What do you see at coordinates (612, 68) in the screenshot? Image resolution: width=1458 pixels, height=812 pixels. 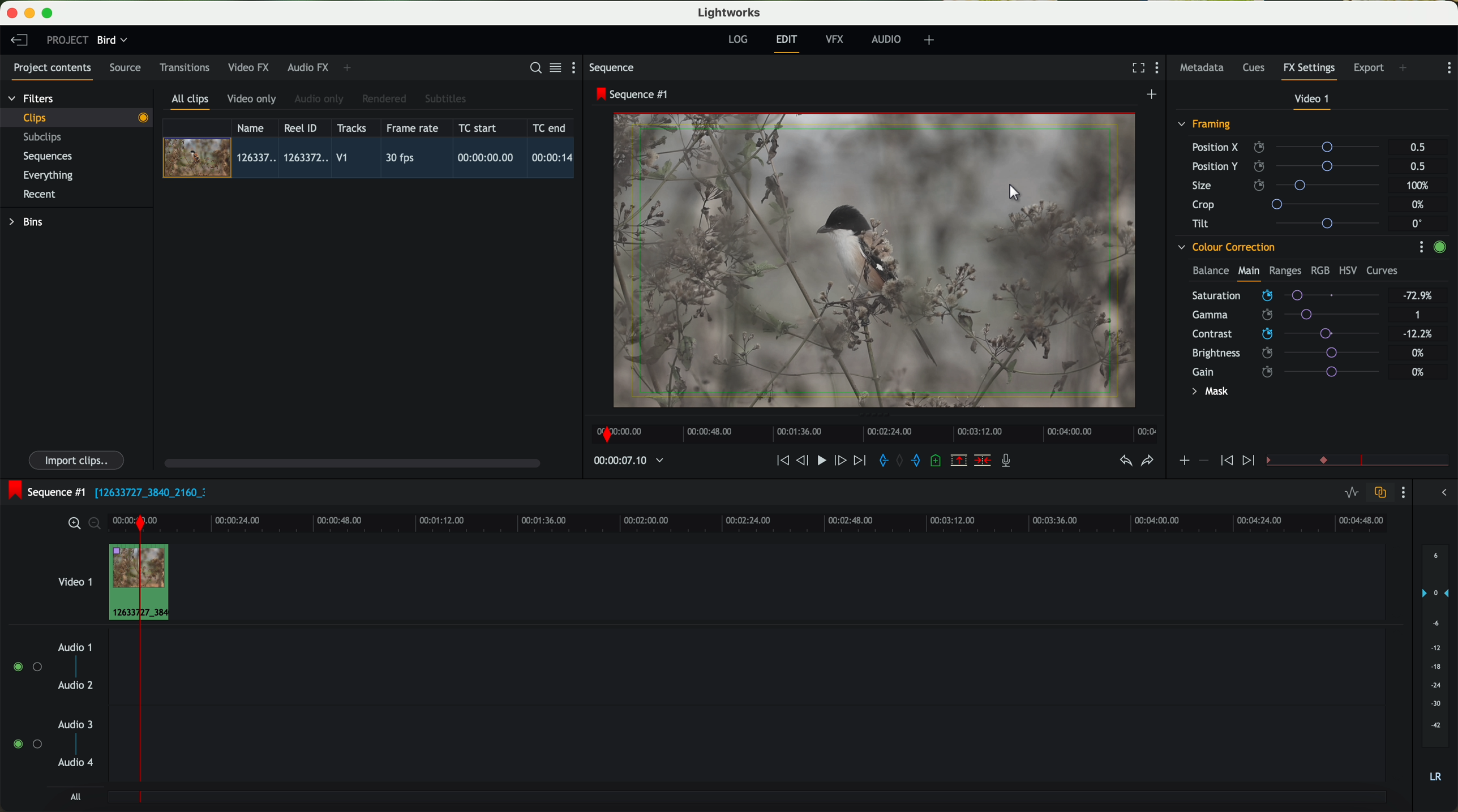 I see `sequence` at bounding box center [612, 68].